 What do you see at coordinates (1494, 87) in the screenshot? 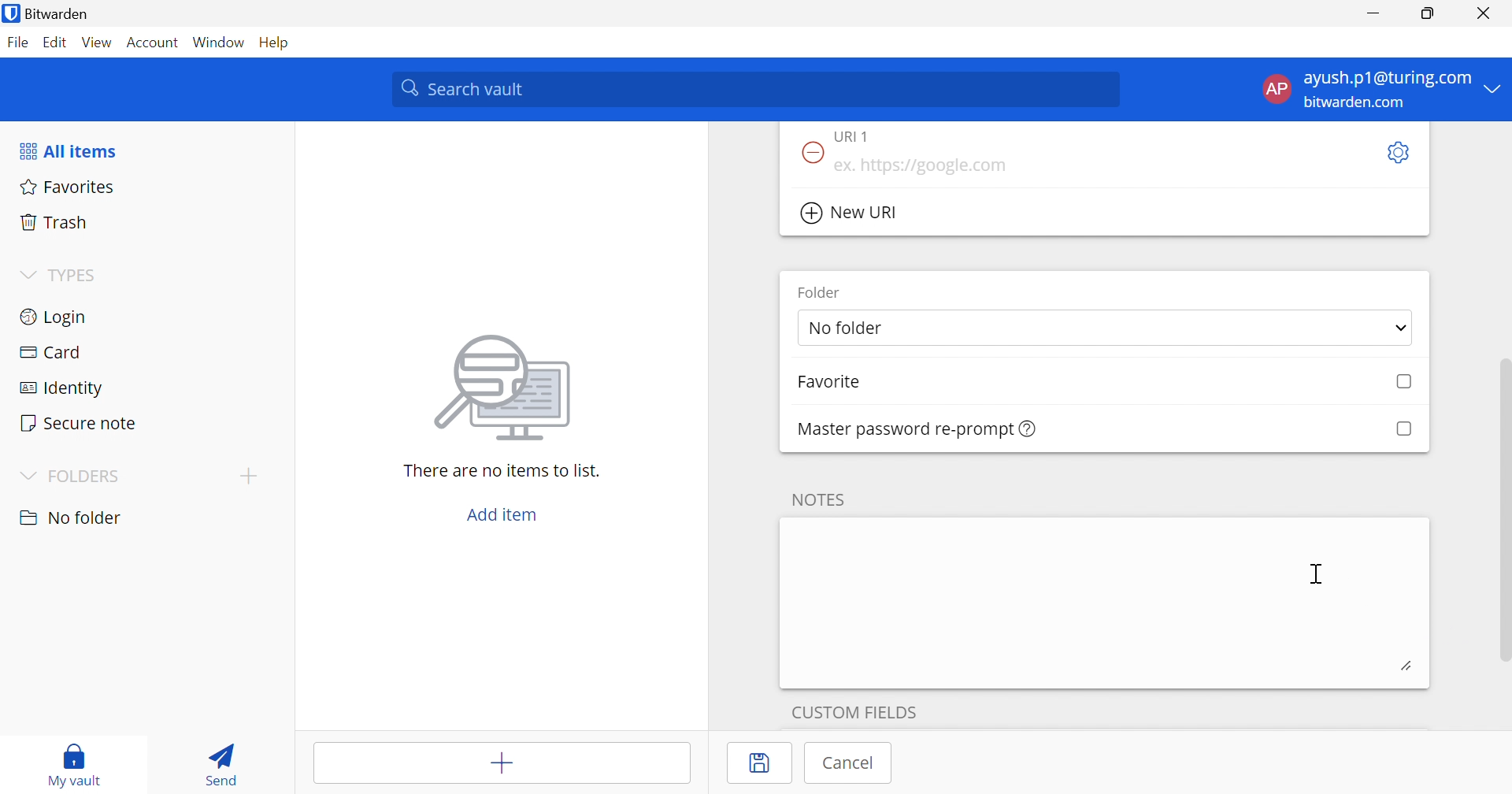
I see `Drop Down` at bounding box center [1494, 87].